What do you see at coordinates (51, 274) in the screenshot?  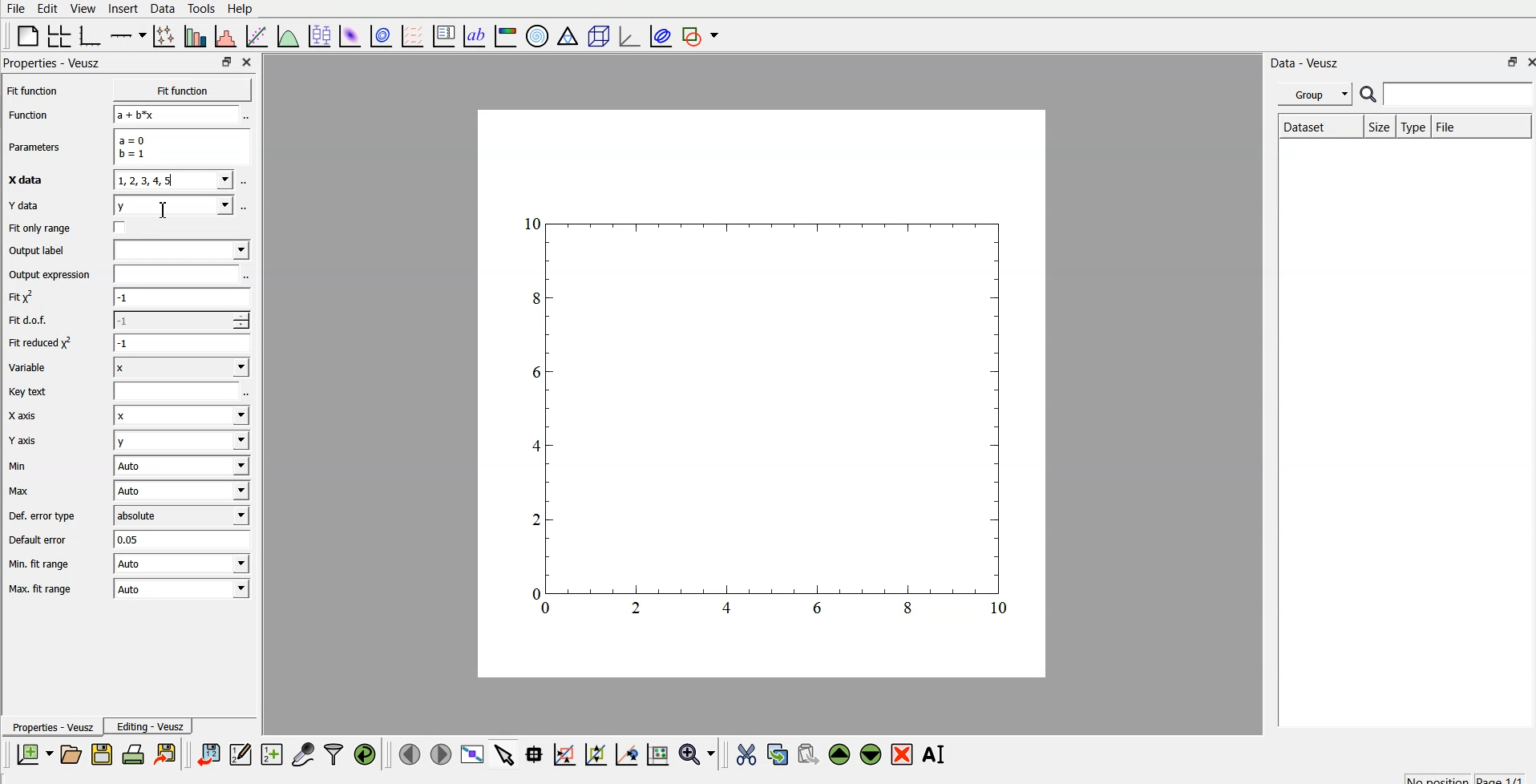 I see `Output expression` at bounding box center [51, 274].